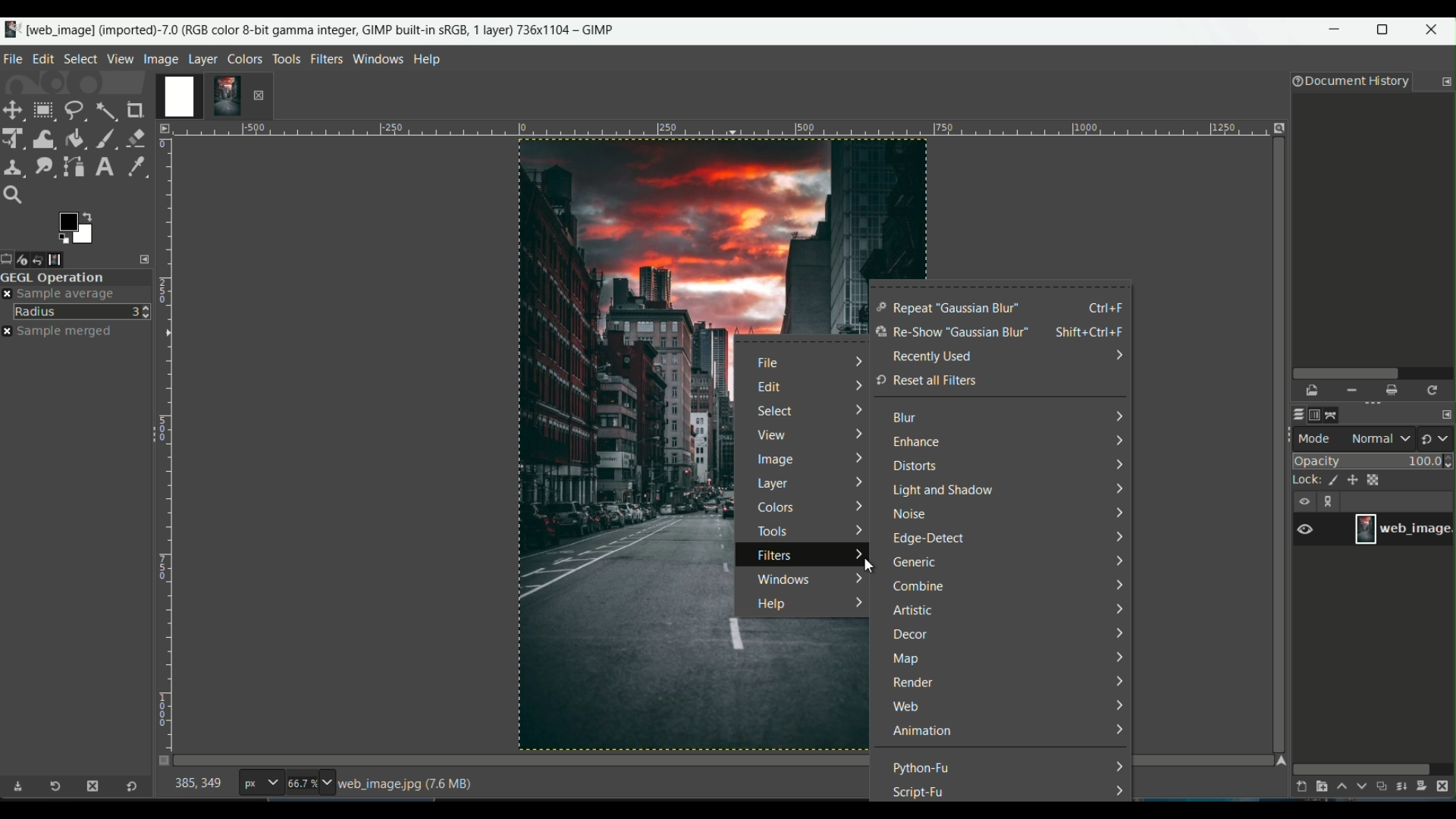 Image resolution: width=1456 pixels, height=819 pixels. Describe the element at coordinates (1335, 33) in the screenshot. I see `minimize` at that location.